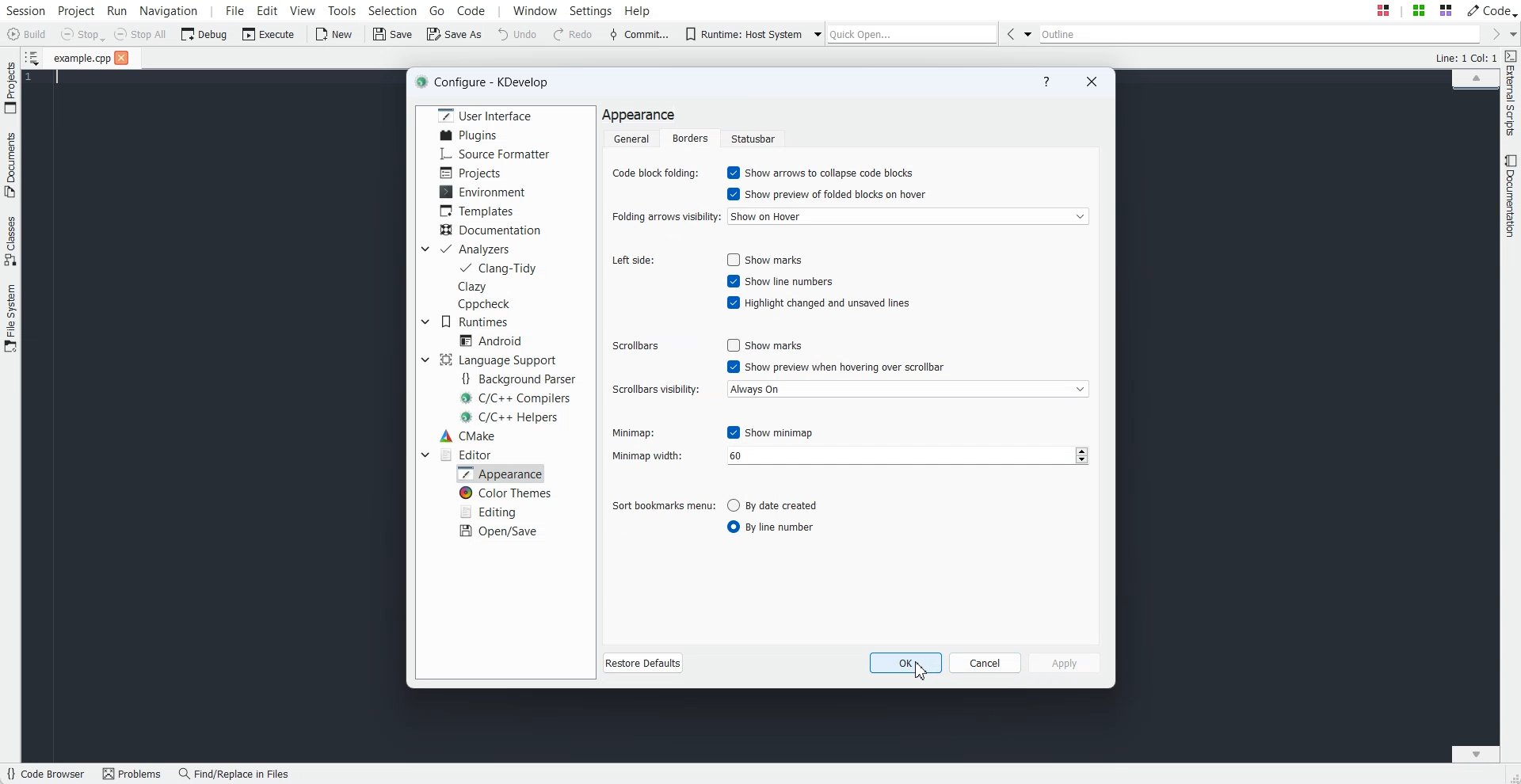 This screenshot has width=1521, height=784. What do you see at coordinates (425, 321) in the screenshot?
I see `Drop down box` at bounding box center [425, 321].